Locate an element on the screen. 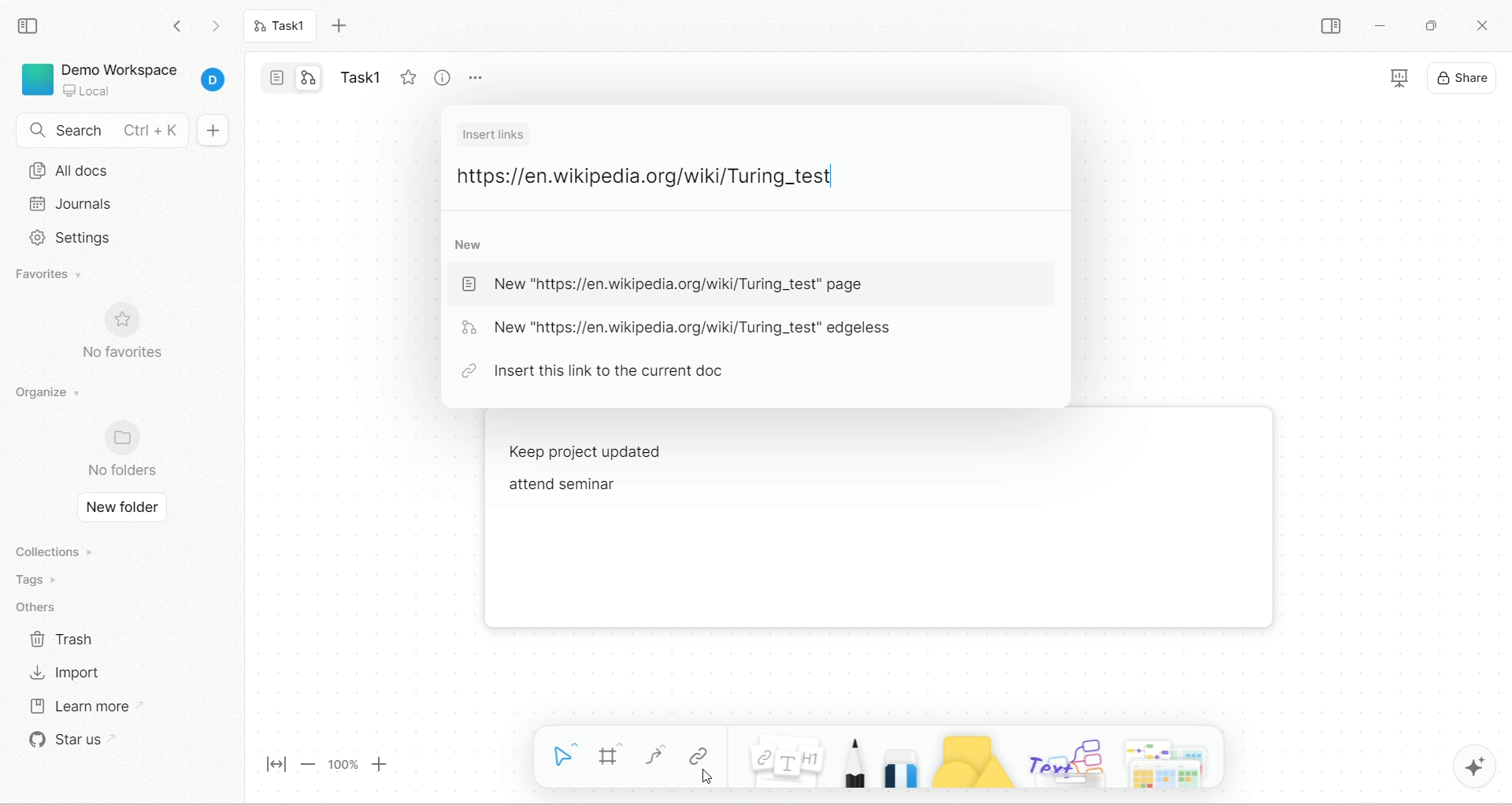  new folder is located at coordinates (121, 509).